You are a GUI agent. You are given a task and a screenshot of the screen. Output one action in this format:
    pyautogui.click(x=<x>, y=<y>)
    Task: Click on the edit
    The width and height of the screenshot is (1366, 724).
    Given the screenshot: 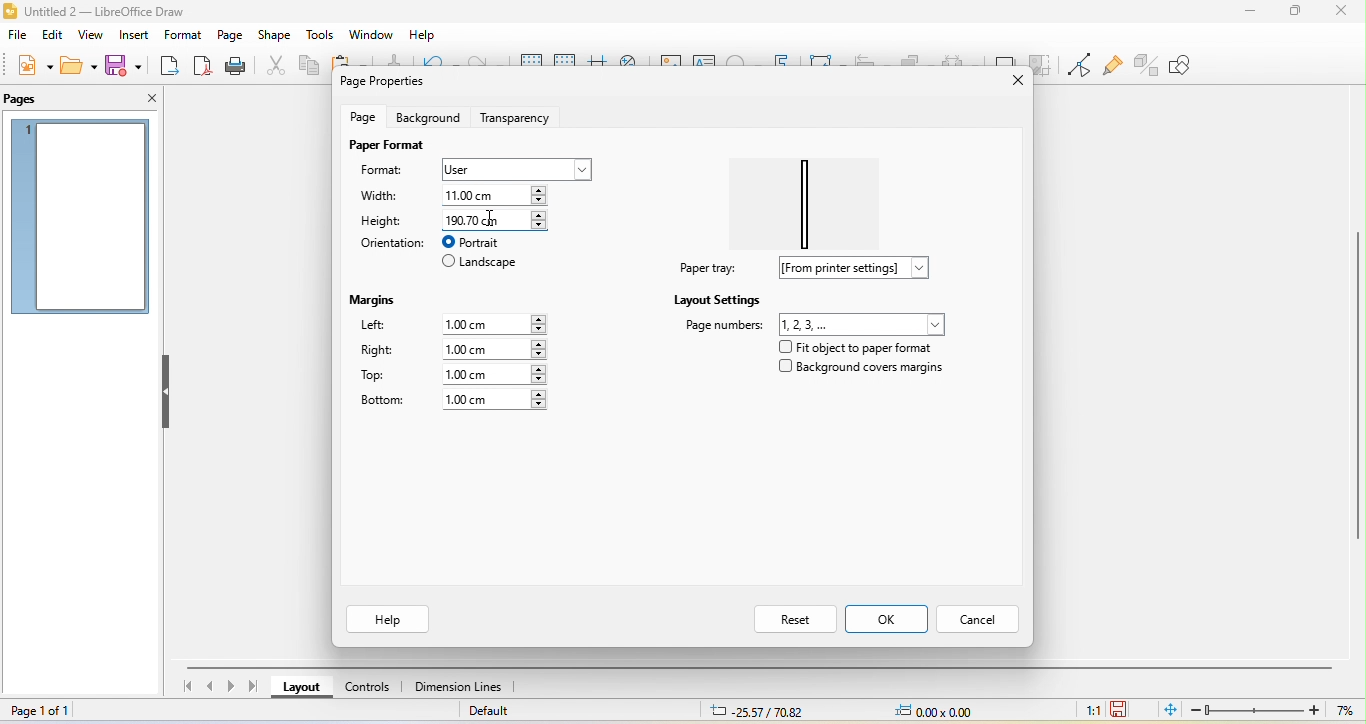 What is the action you would take?
    pyautogui.click(x=55, y=35)
    